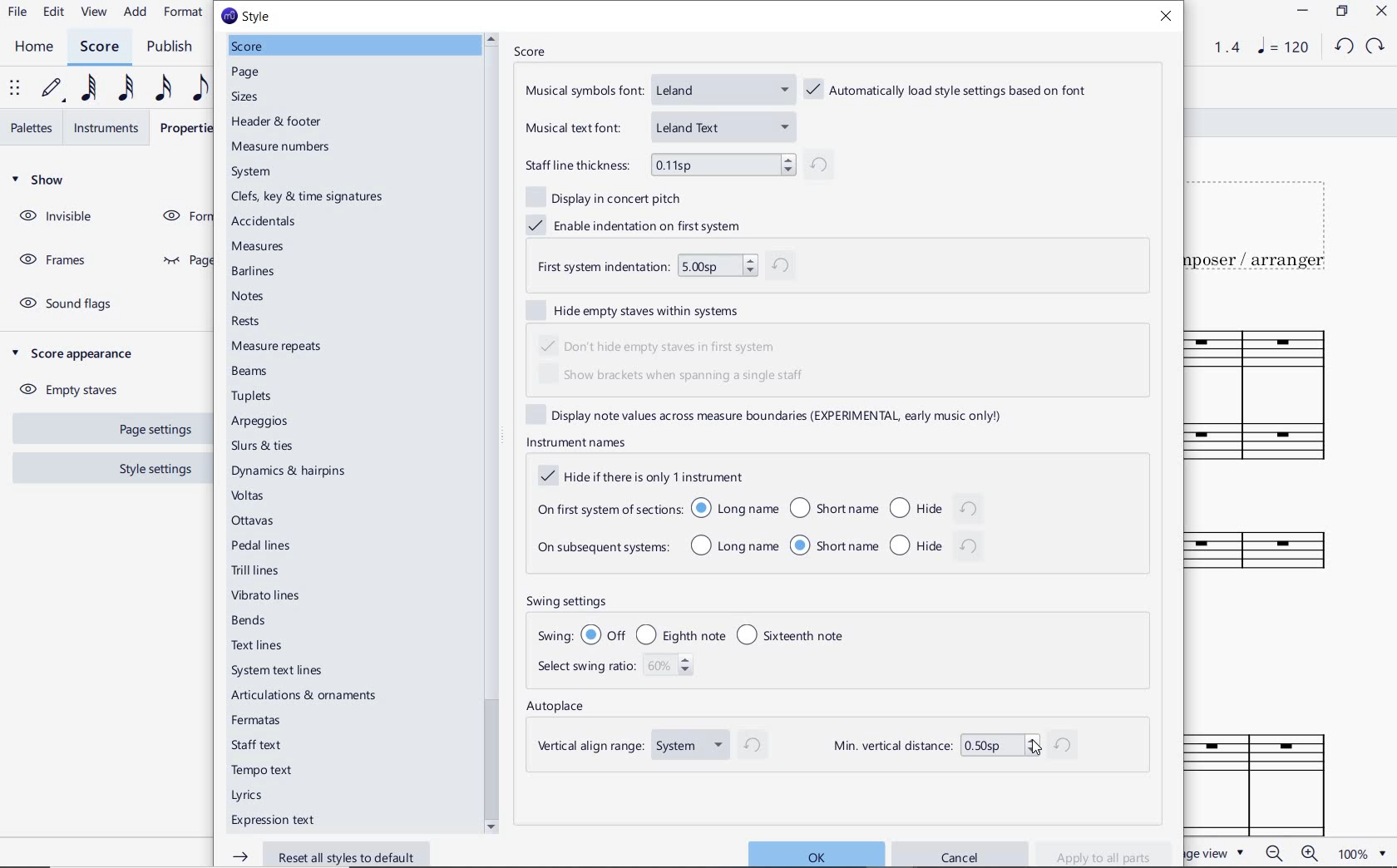 The width and height of the screenshot is (1397, 868). Describe the element at coordinates (261, 771) in the screenshot. I see `tempo text` at that location.